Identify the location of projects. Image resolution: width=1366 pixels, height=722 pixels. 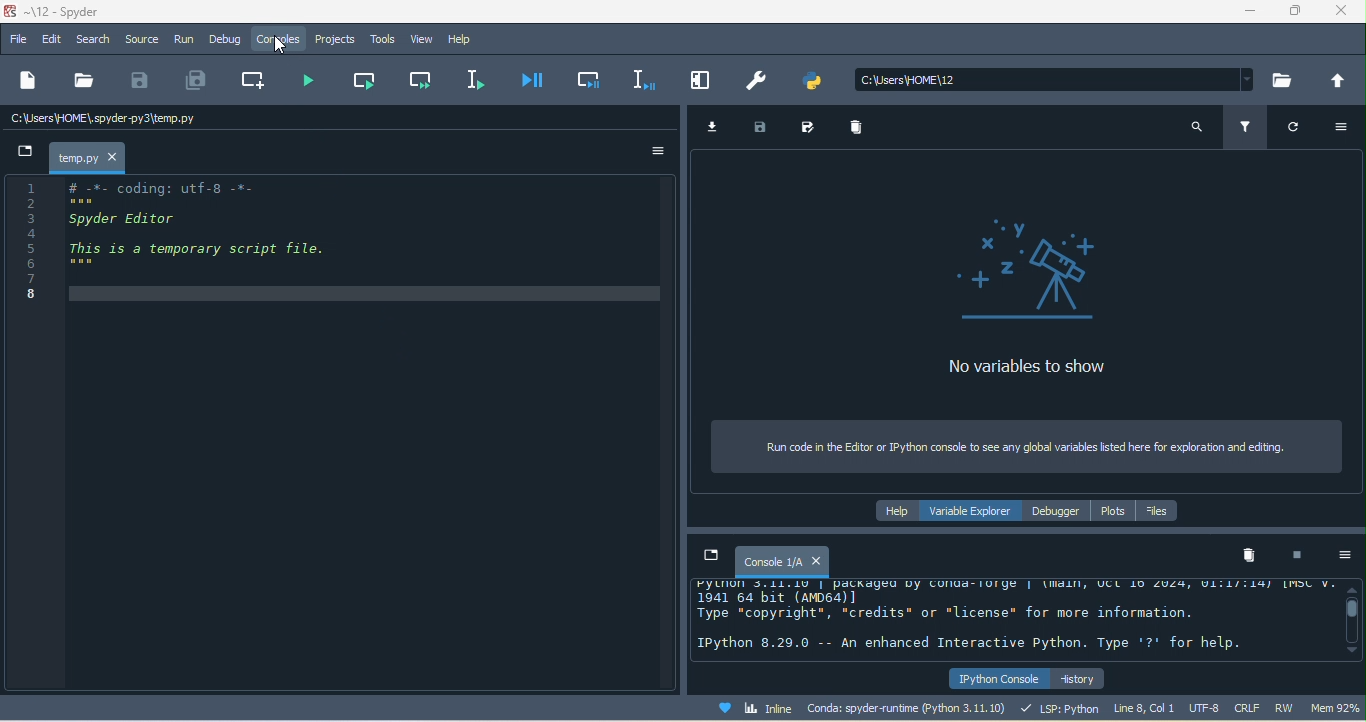
(336, 41).